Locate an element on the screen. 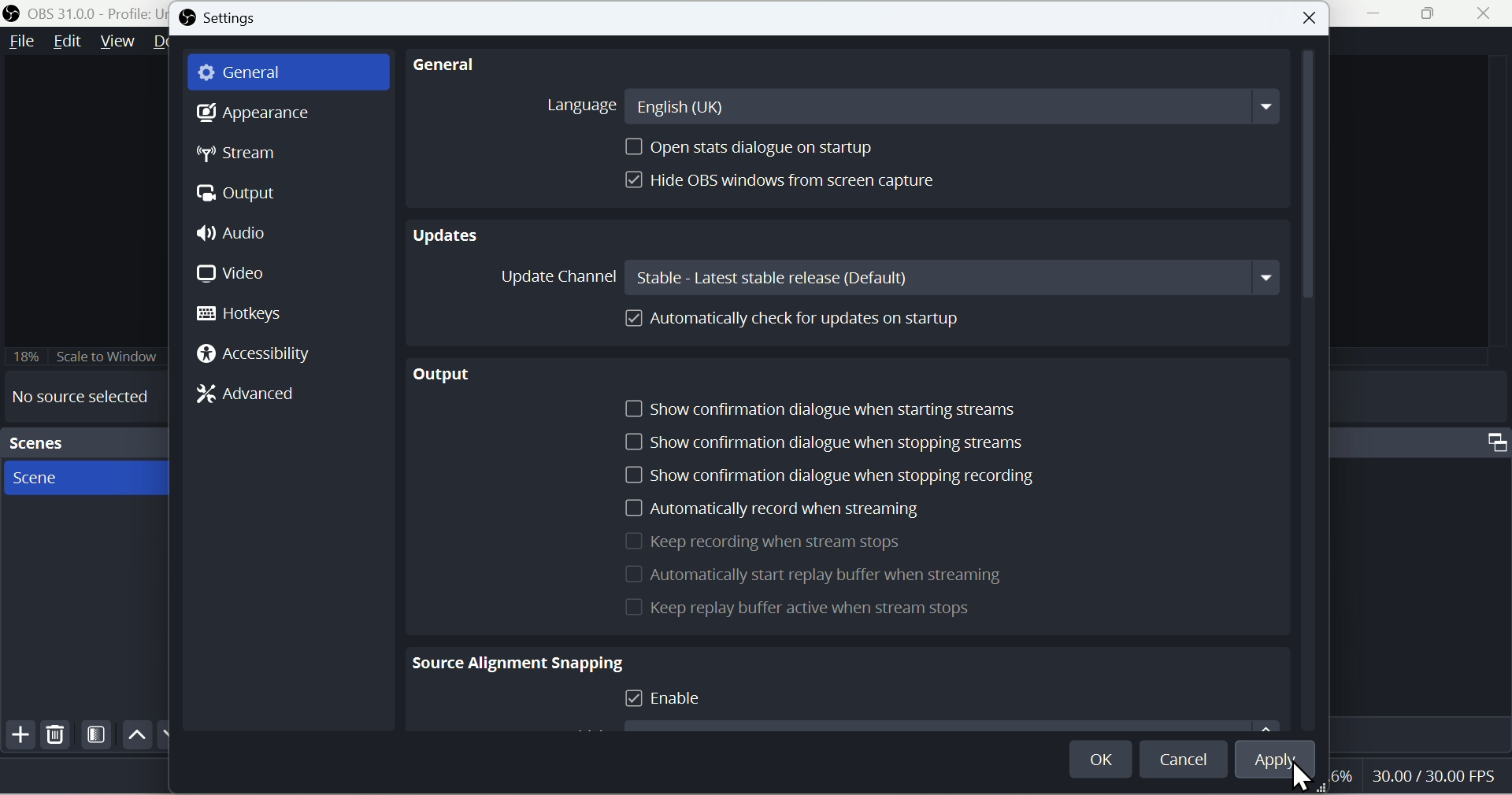 The image size is (1512, 795). Stable: Latest stable release(Default) is located at coordinates (958, 276).